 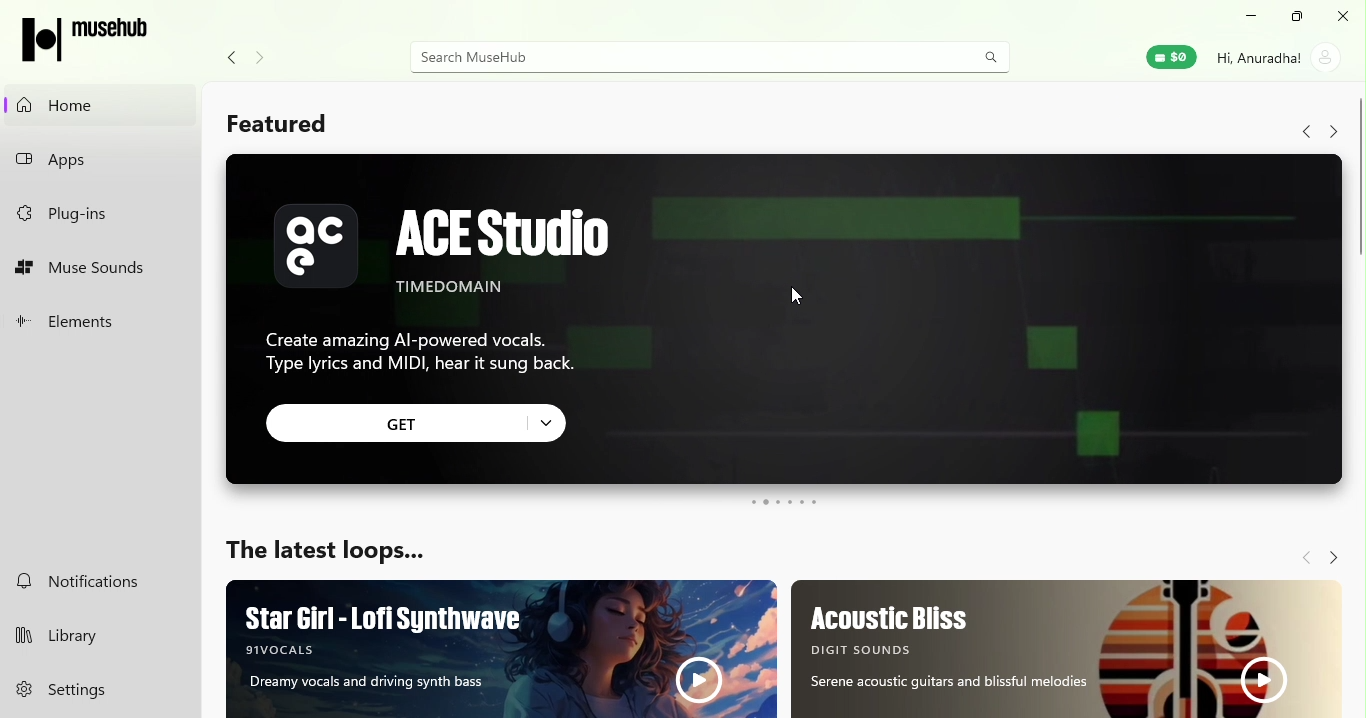 What do you see at coordinates (1281, 63) in the screenshot?
I see `account` at bounding box center [1281, 63].